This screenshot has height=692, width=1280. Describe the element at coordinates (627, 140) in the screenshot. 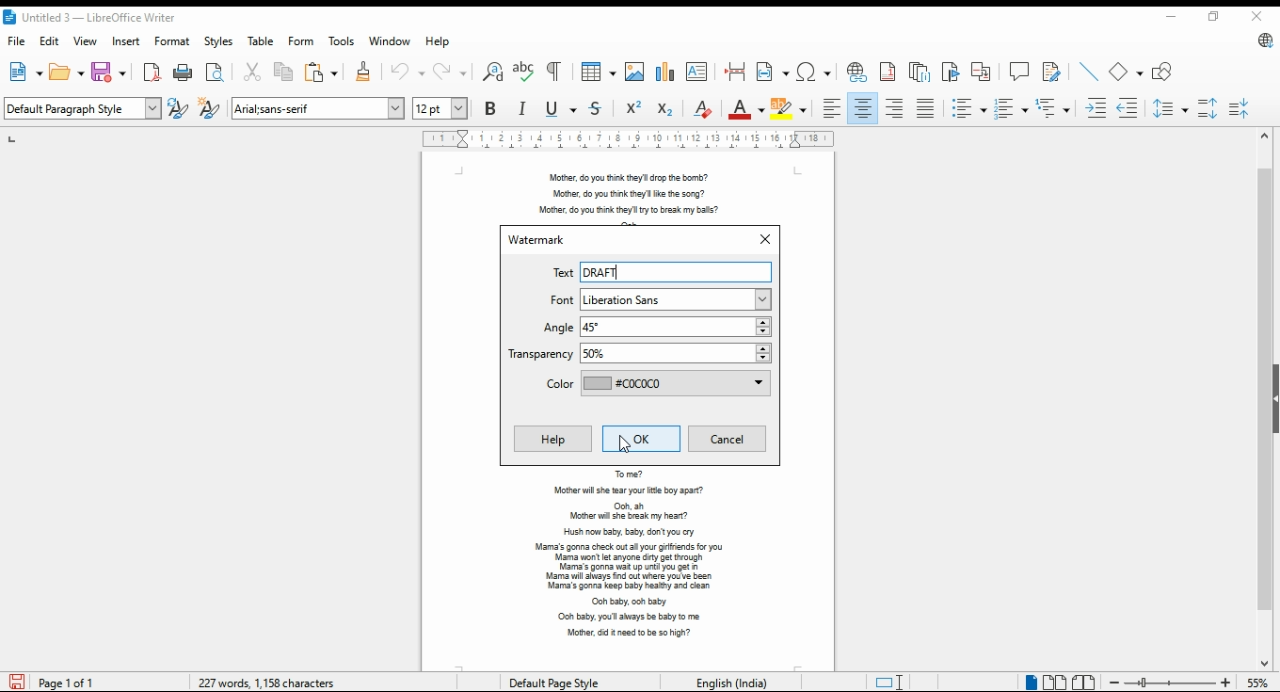

I see `ruler` at that location.